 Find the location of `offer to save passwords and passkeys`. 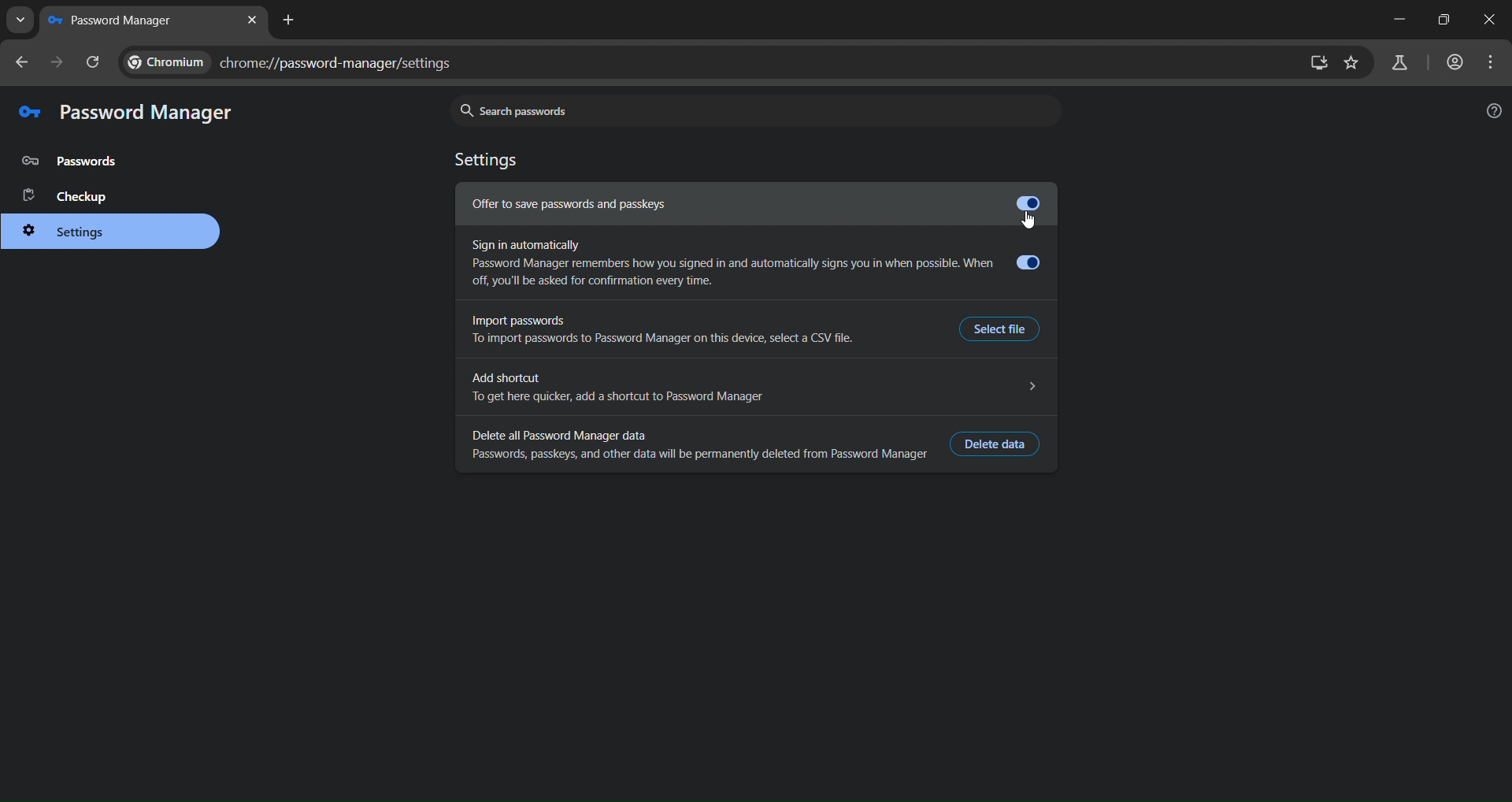

offer to save passwords and passkeys is located at coordinates (719, 205).